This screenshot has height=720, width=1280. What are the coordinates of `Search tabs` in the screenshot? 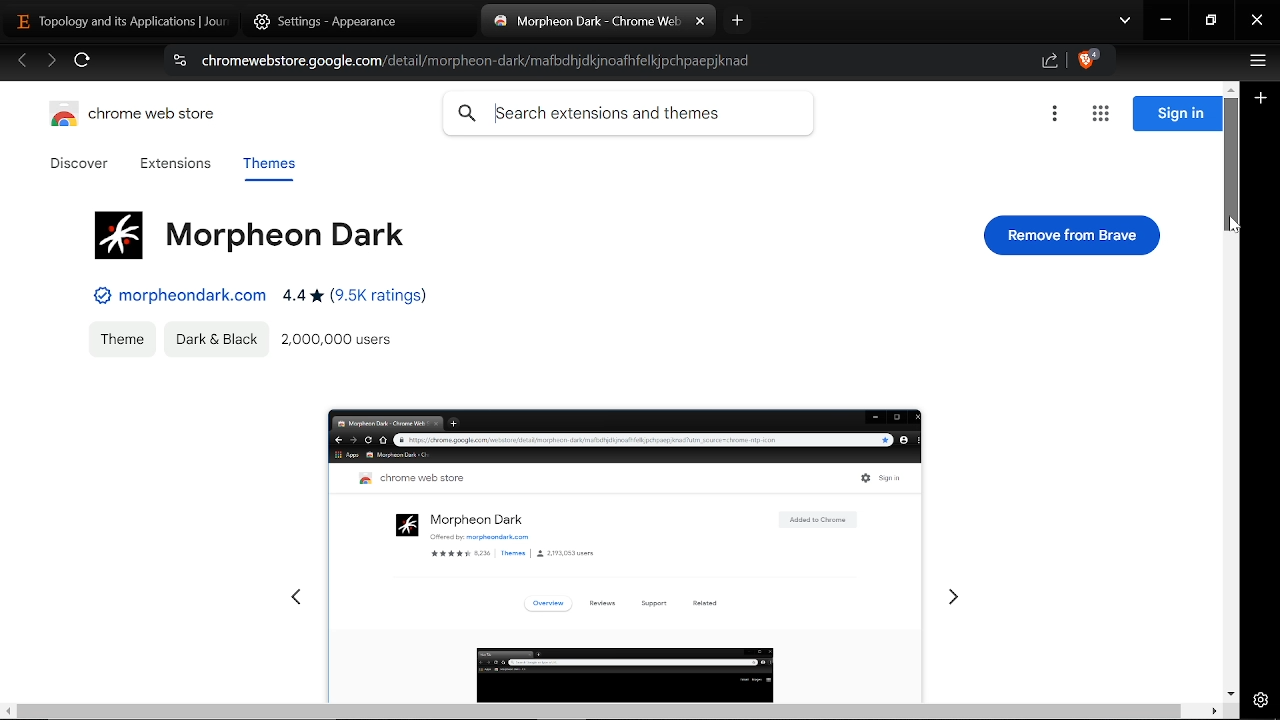 It's located at (1125, 22).